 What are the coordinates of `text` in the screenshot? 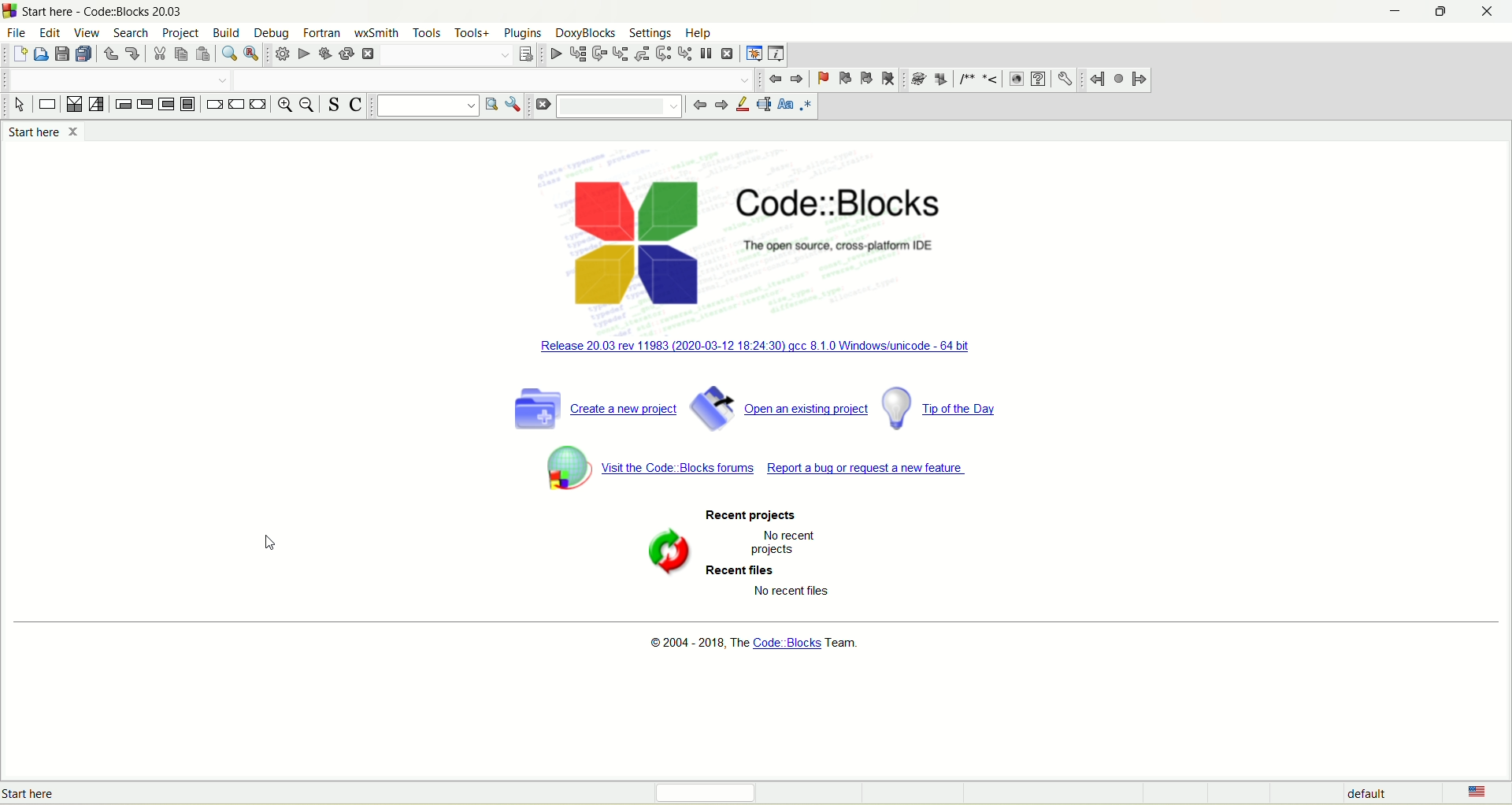 It's located at (38, 794).